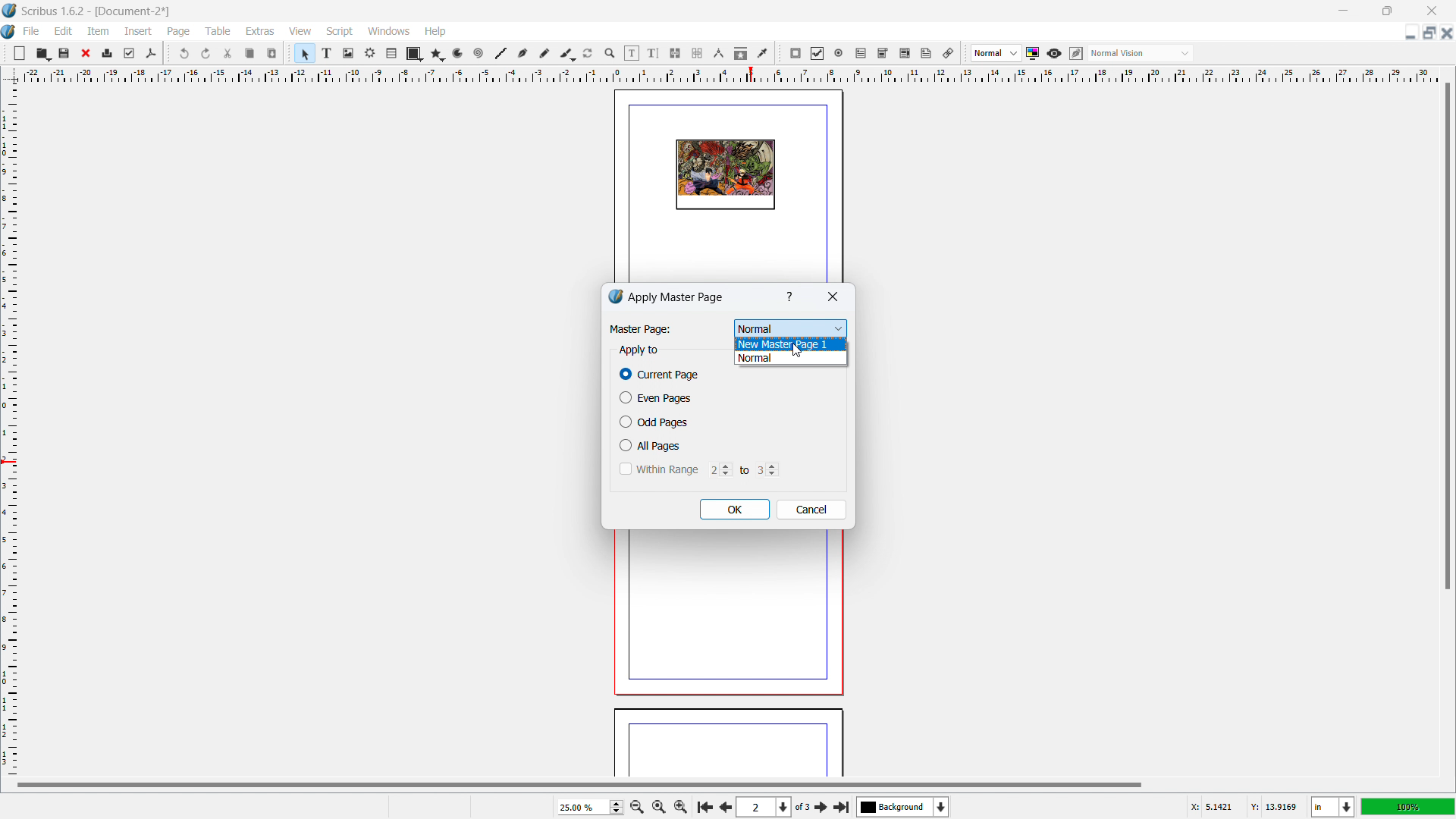 This screenshot has height=819, width=1456. Describe the element at coordinates (1333, 808) in the screenshot. I see `unit of measurement` at that location.